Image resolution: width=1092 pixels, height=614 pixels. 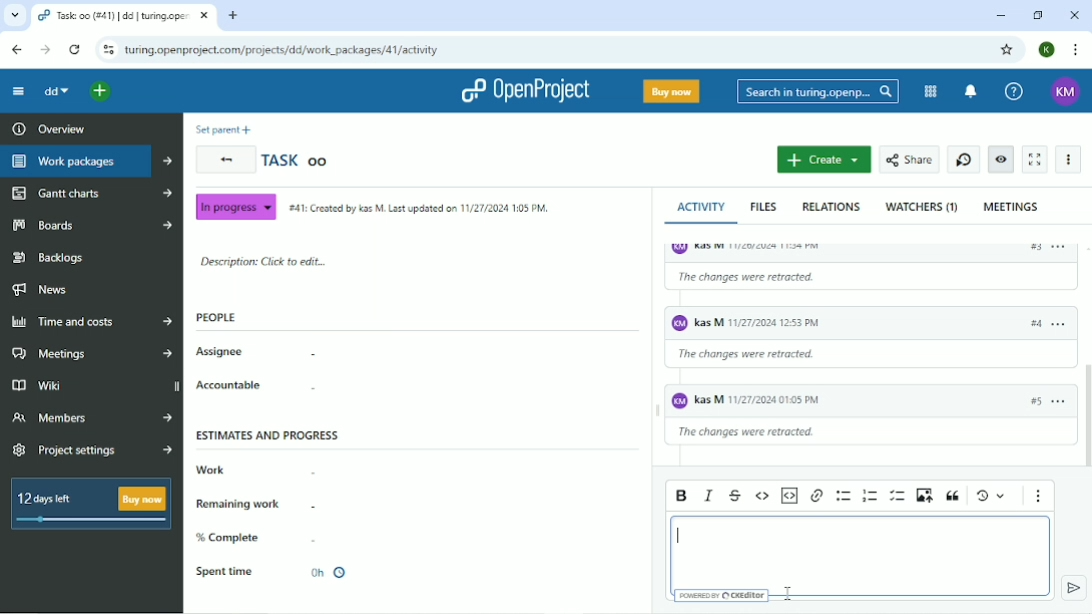 I want to click on Set parent, so click(x=223, y=130).